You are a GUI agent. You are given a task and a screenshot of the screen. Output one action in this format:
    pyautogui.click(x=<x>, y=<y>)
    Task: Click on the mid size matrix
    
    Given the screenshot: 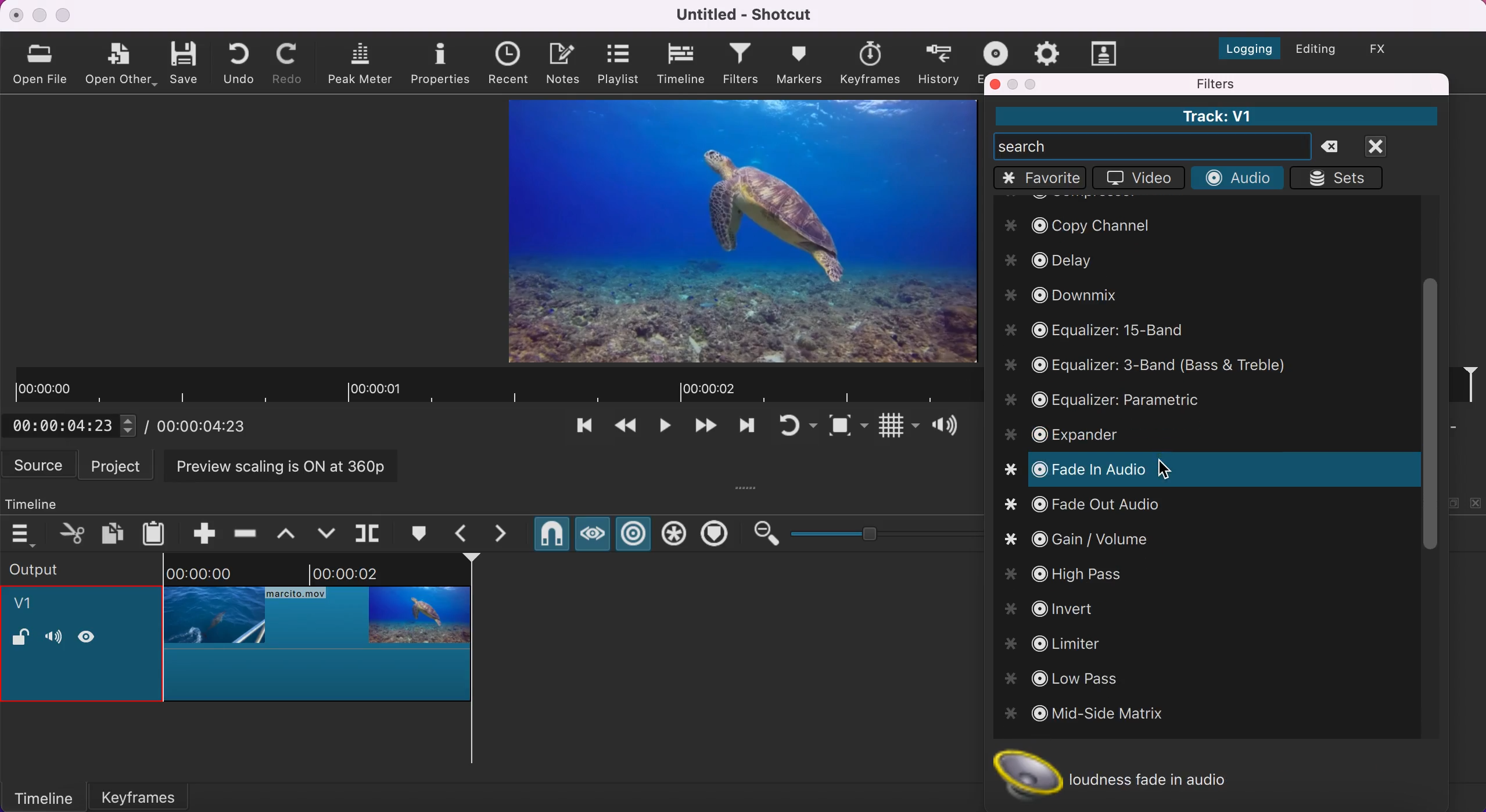 What is the action you would take?
    pyautogui.click(x=1090, y=716)
    